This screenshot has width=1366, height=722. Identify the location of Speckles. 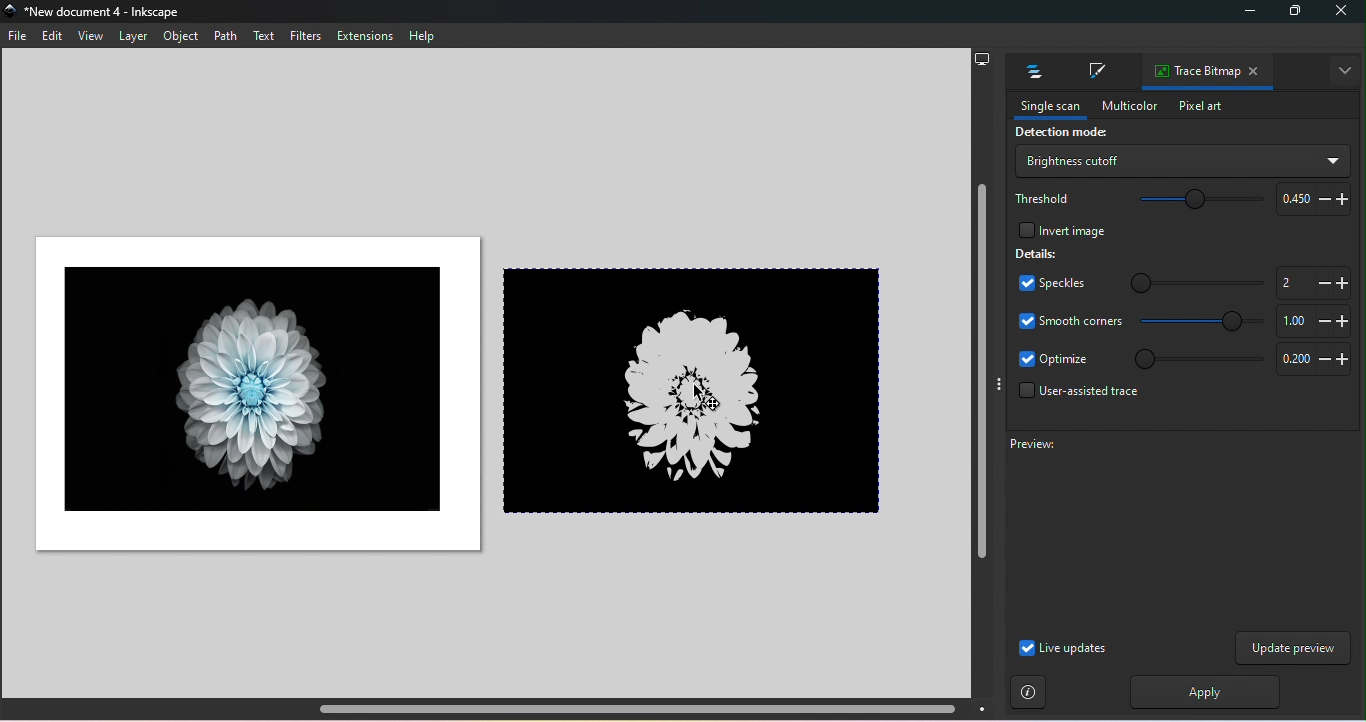
(1046, 285).